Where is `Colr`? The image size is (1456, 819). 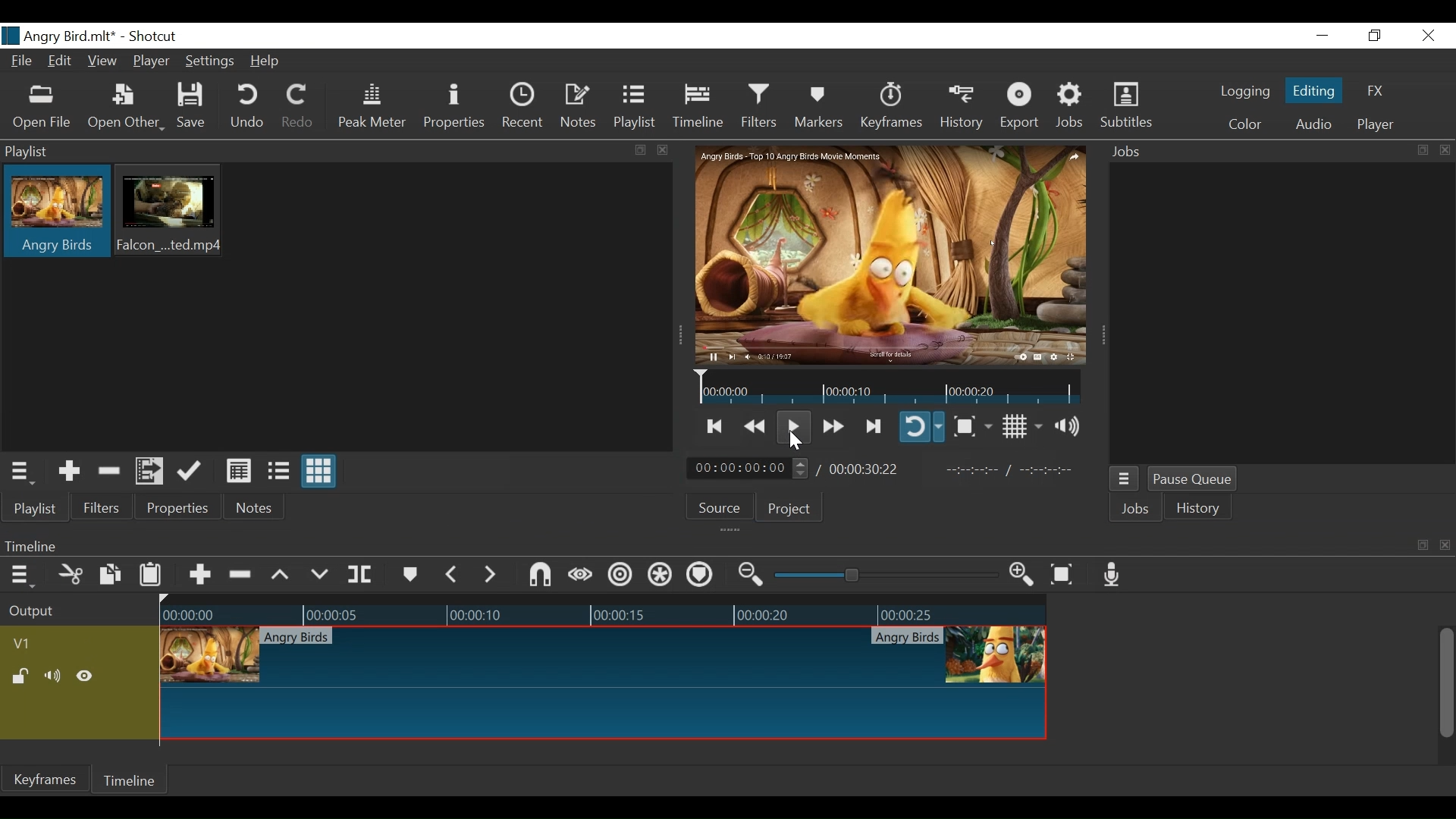
Colr is located at coordinates (1244, 124).